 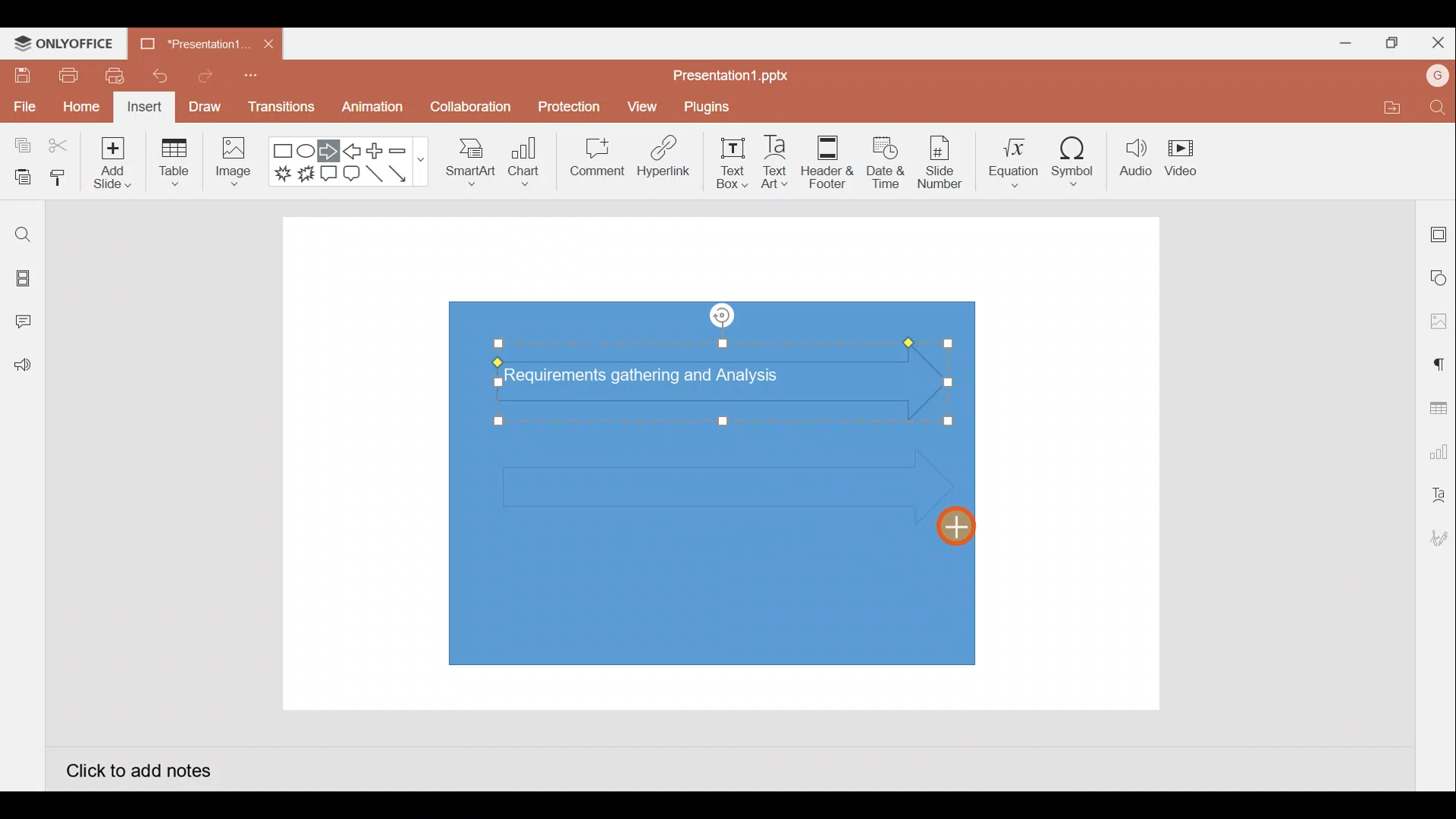 What do you see at coordinates (374, 111) in the screenshot?
I see `Animation` at bounding box center [374, 111].